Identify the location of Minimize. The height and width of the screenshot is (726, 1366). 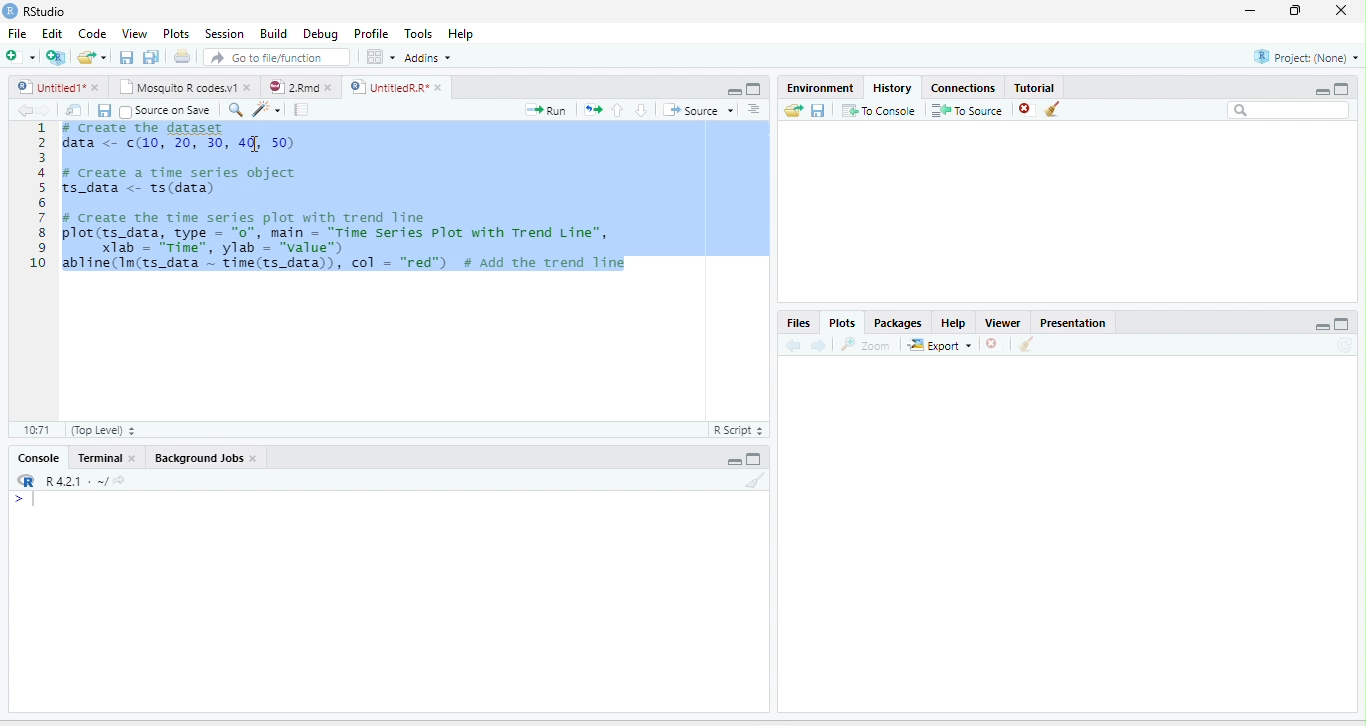
(1321, 326).